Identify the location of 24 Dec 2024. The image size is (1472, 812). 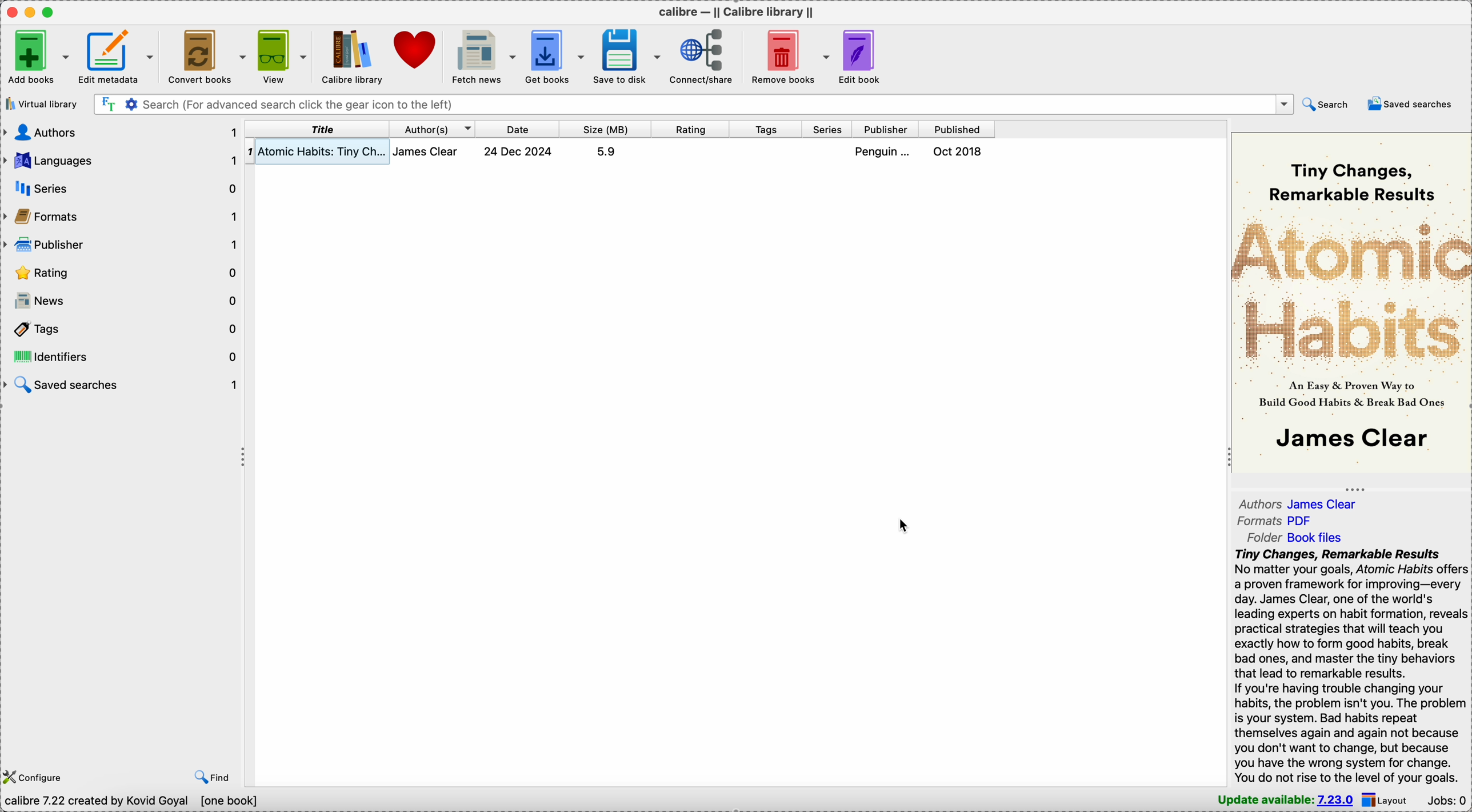
(518, 151).